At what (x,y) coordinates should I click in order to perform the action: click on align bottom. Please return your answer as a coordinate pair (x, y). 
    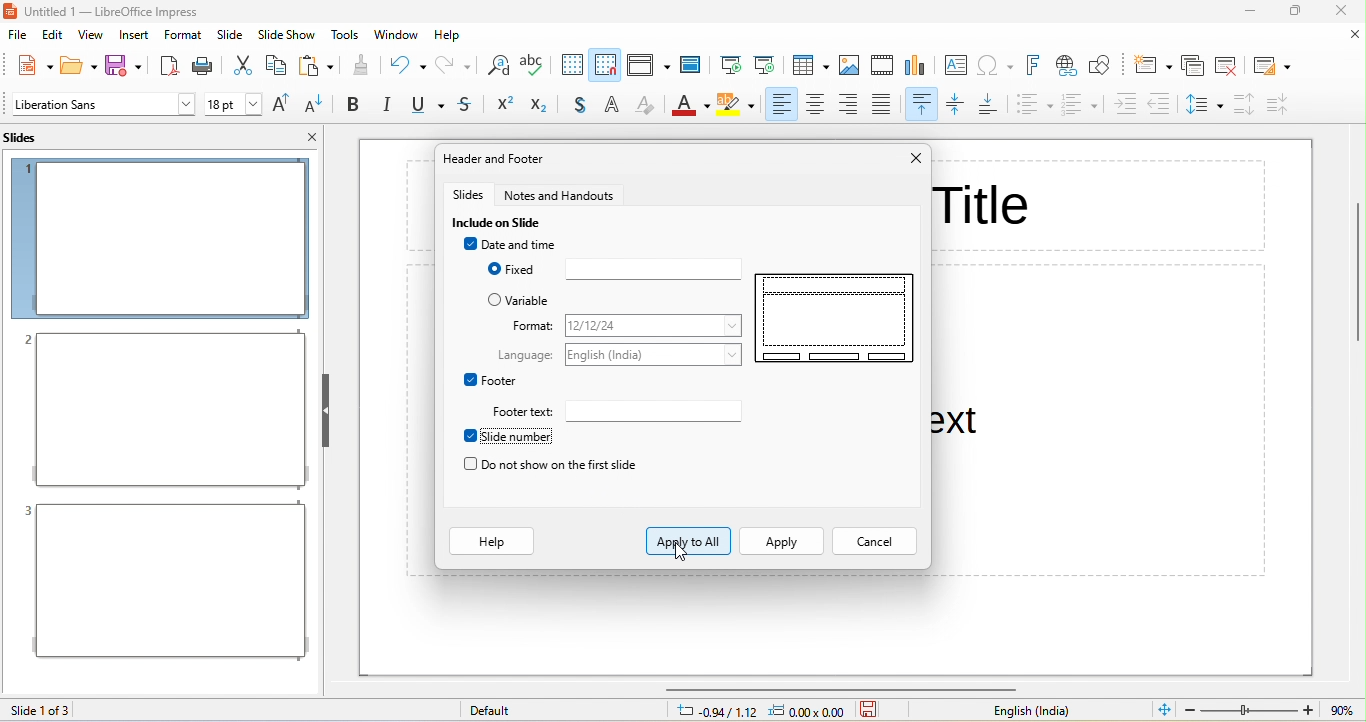
    Looking at the image, I should click on (992, 105).